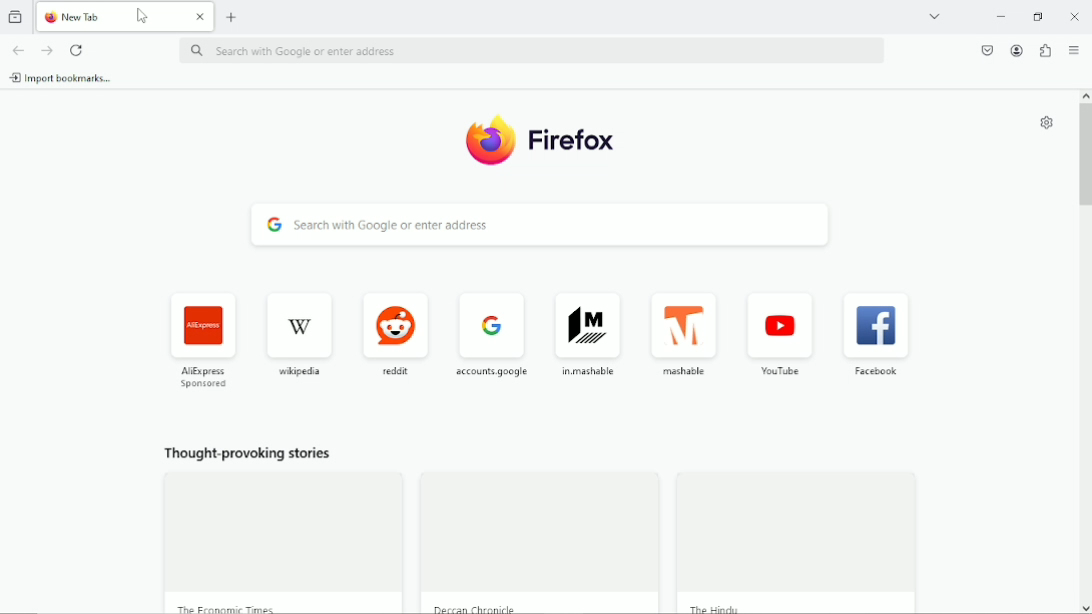 Image resolution: width=1092 pixels, height=614 pixels. Describe the element at coordinates (689, 336) in the screenshot. I see `mashable` at that location.